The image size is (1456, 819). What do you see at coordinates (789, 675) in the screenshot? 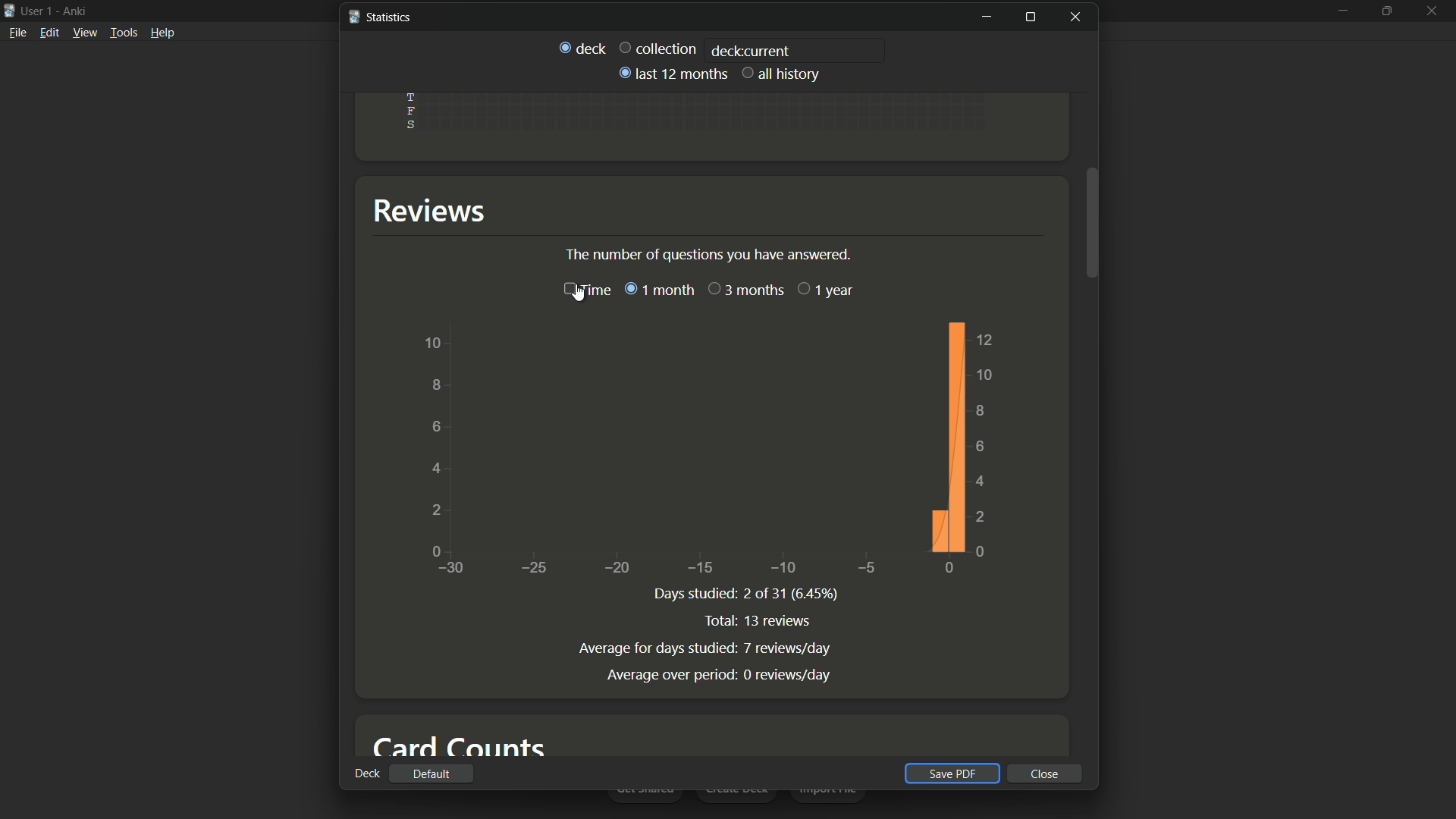
I see `0 reviews per day` at bounding box center [789, 675].